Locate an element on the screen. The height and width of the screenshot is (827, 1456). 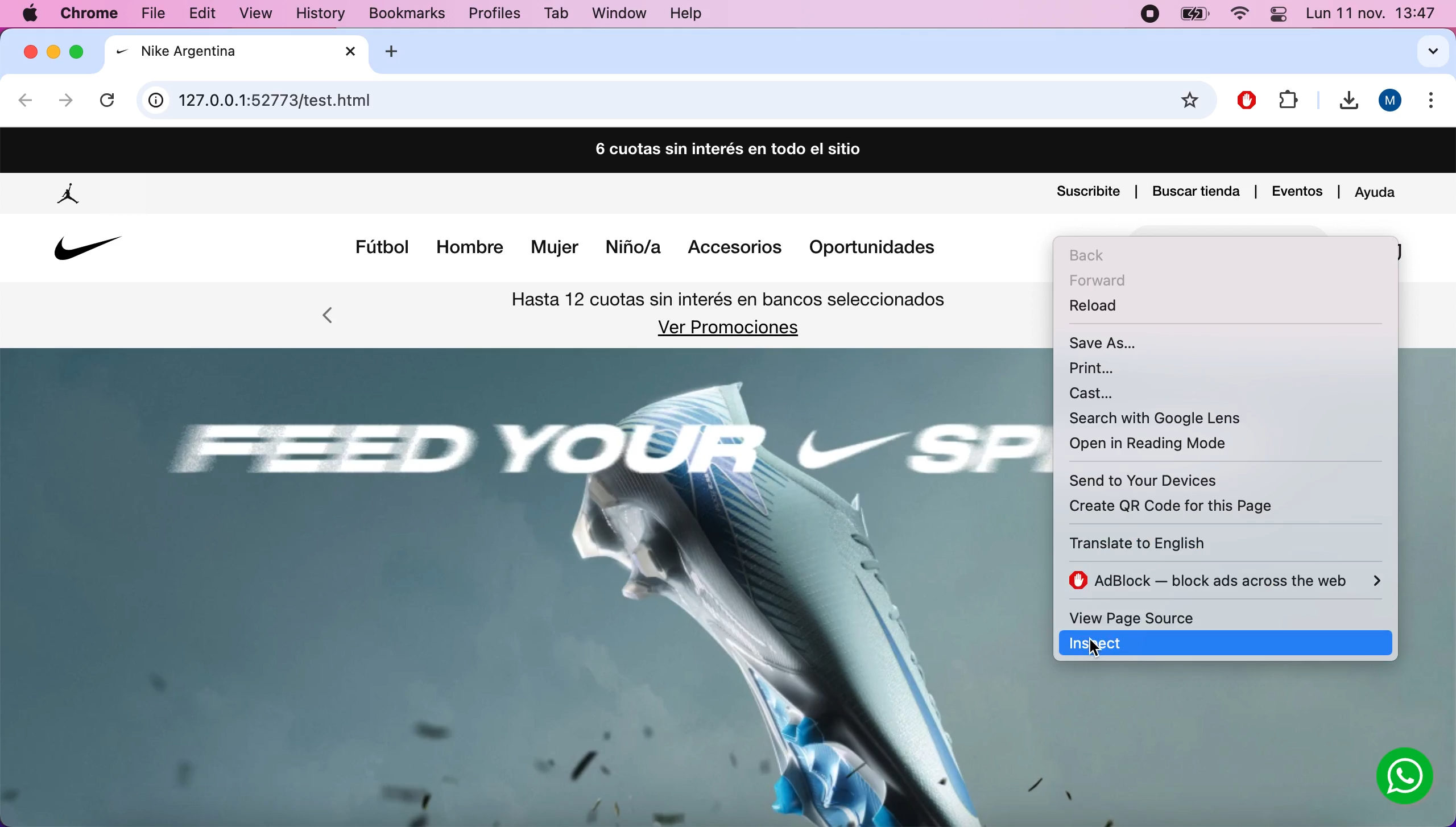
save as is located at coordinates (1113, 341).